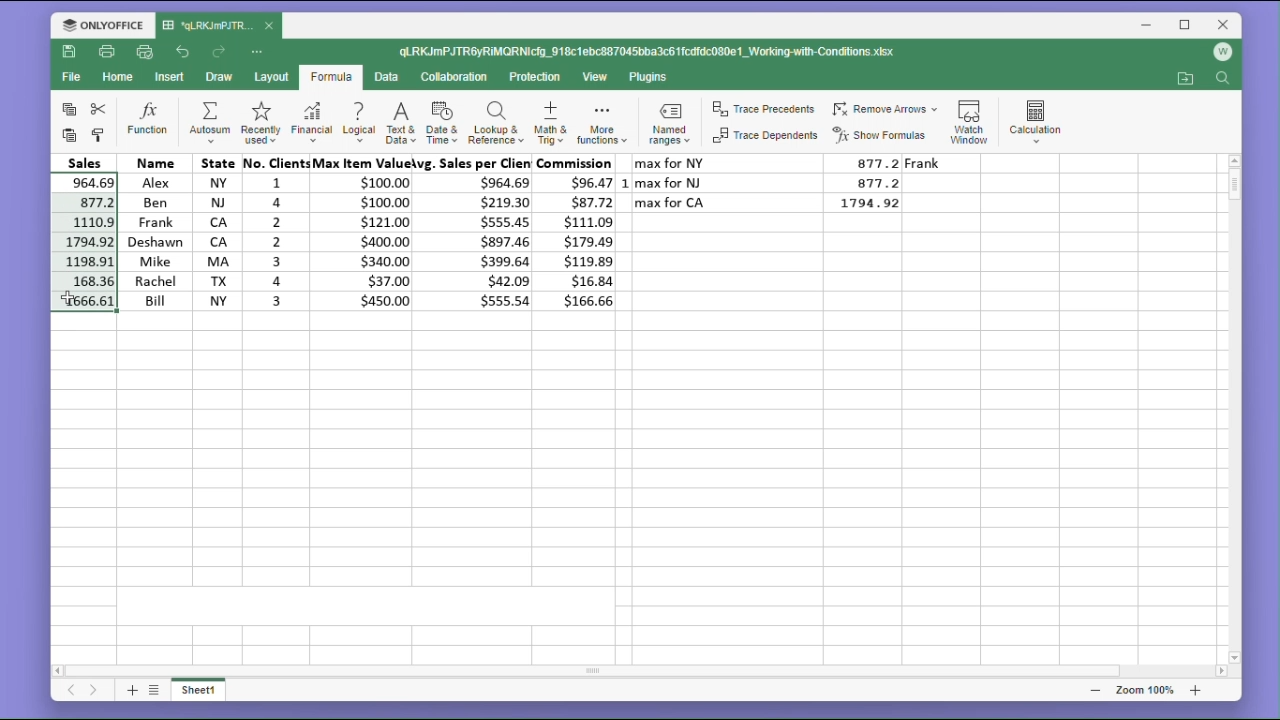 This screenshot has height=720, width=1280. Describe the element at coordinates (597, 78) in the screenshot. I see `view` at that location.